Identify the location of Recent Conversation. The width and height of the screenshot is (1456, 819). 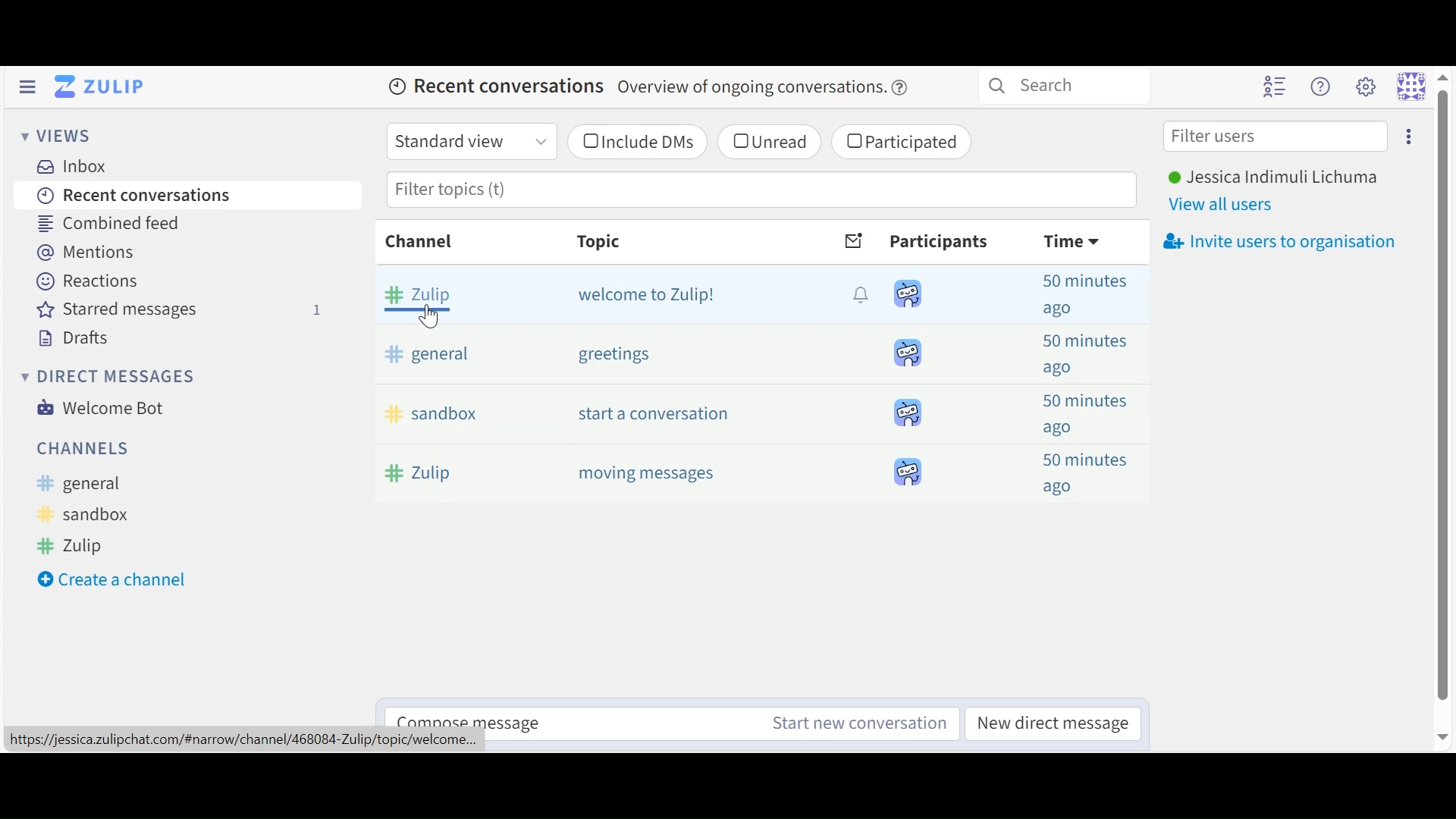
(187, 194).